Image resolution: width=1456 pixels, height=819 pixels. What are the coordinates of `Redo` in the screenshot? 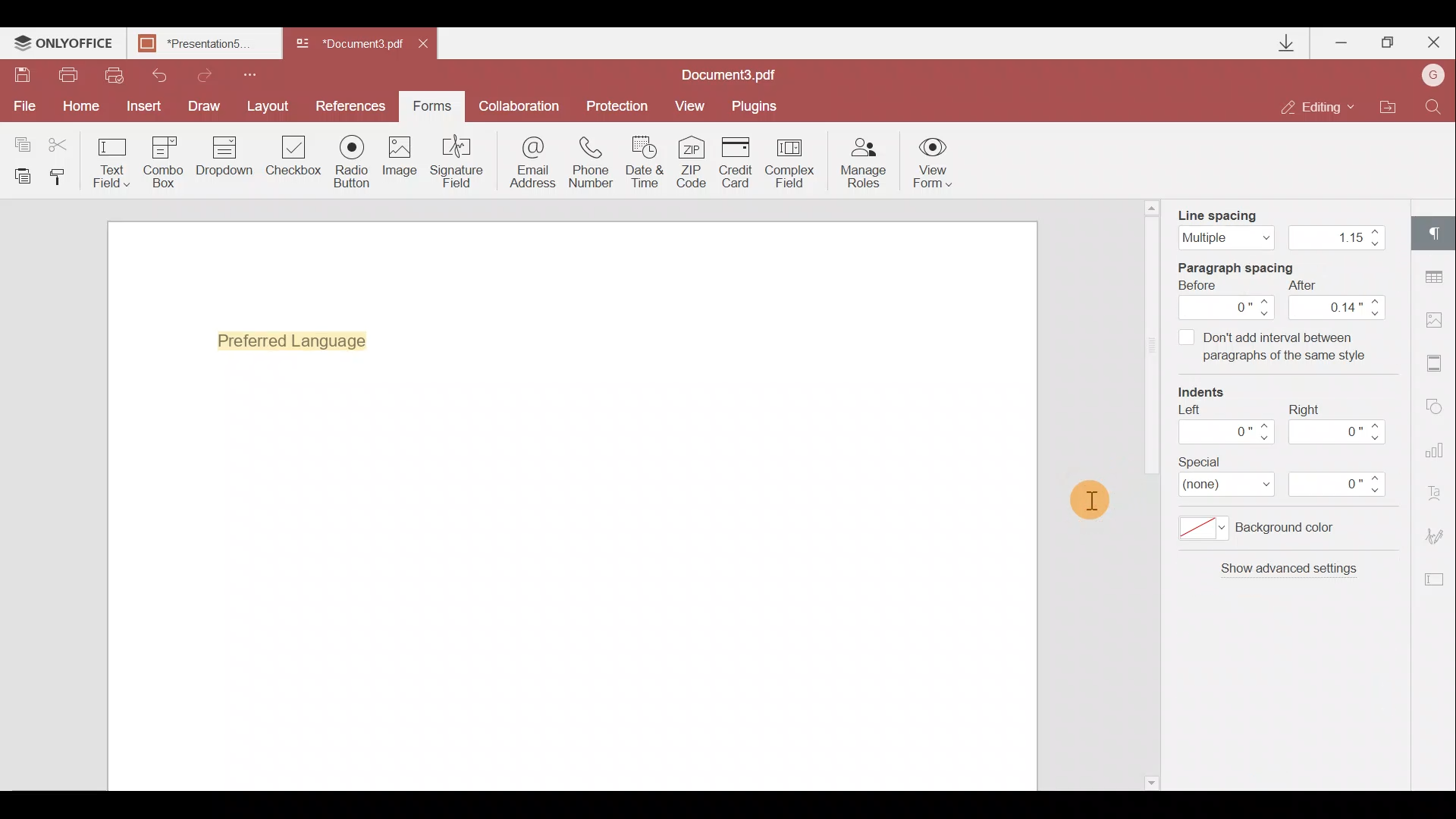 It's located at (197, 73).